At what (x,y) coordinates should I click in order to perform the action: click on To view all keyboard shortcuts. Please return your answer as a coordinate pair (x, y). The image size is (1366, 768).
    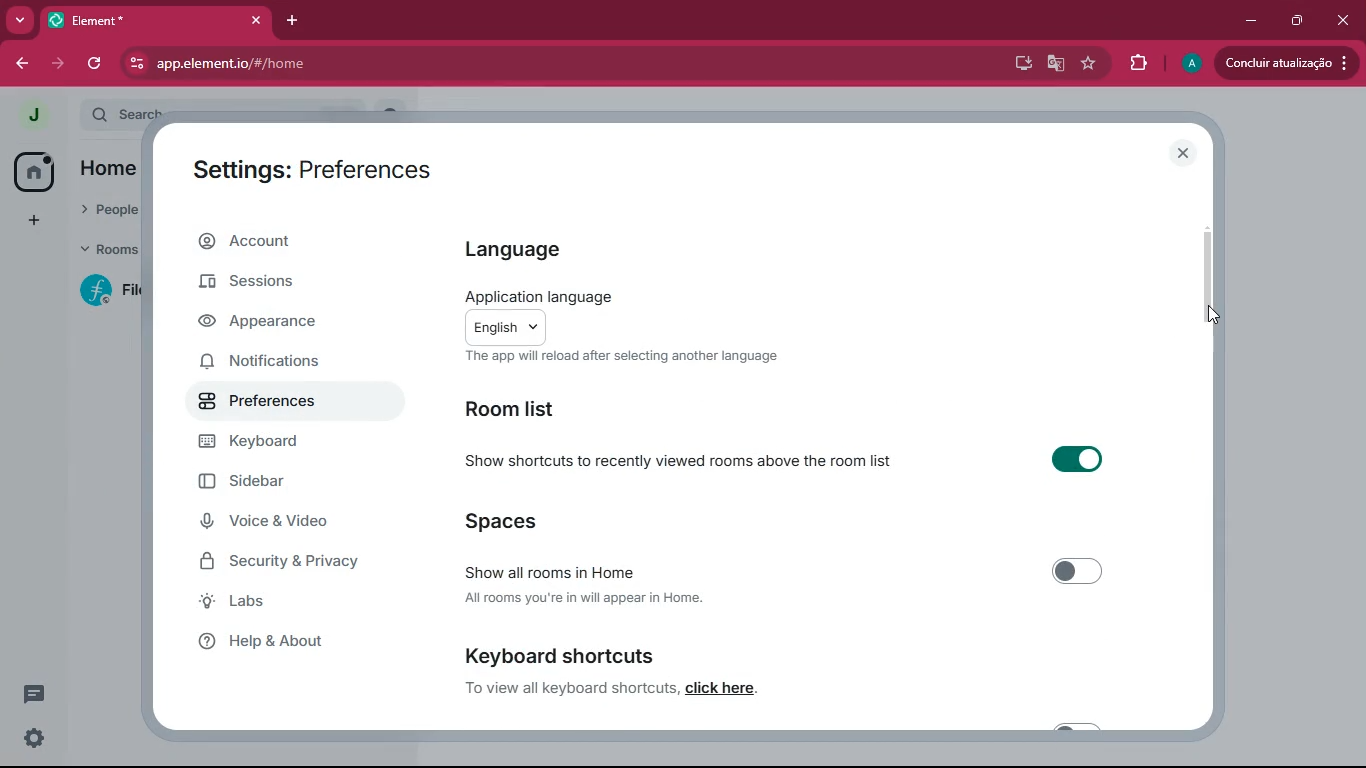
    Looking at the image, I should click on (556, 689).